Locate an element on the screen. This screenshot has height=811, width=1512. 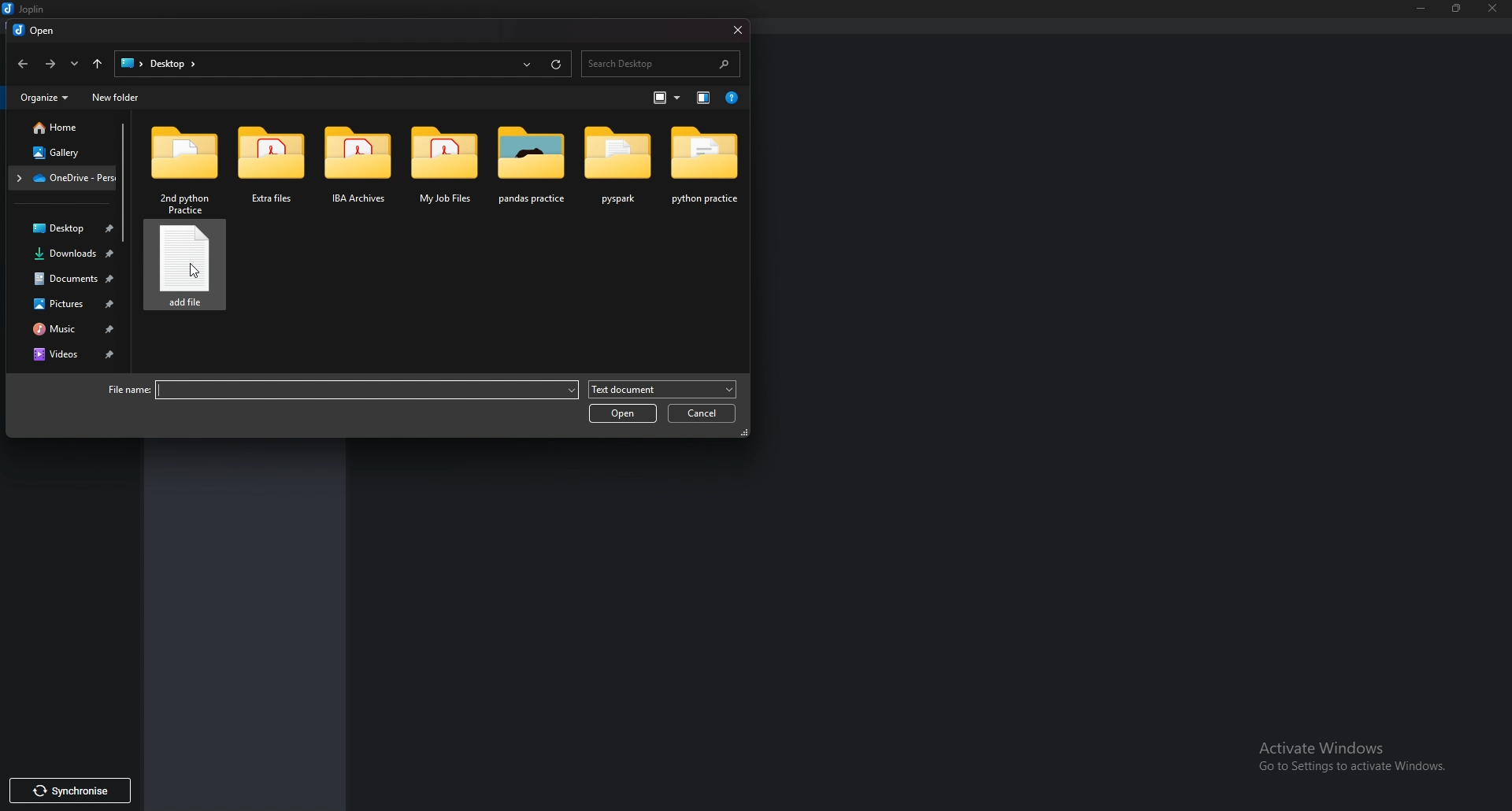
close is located at coordinates (736, 30).